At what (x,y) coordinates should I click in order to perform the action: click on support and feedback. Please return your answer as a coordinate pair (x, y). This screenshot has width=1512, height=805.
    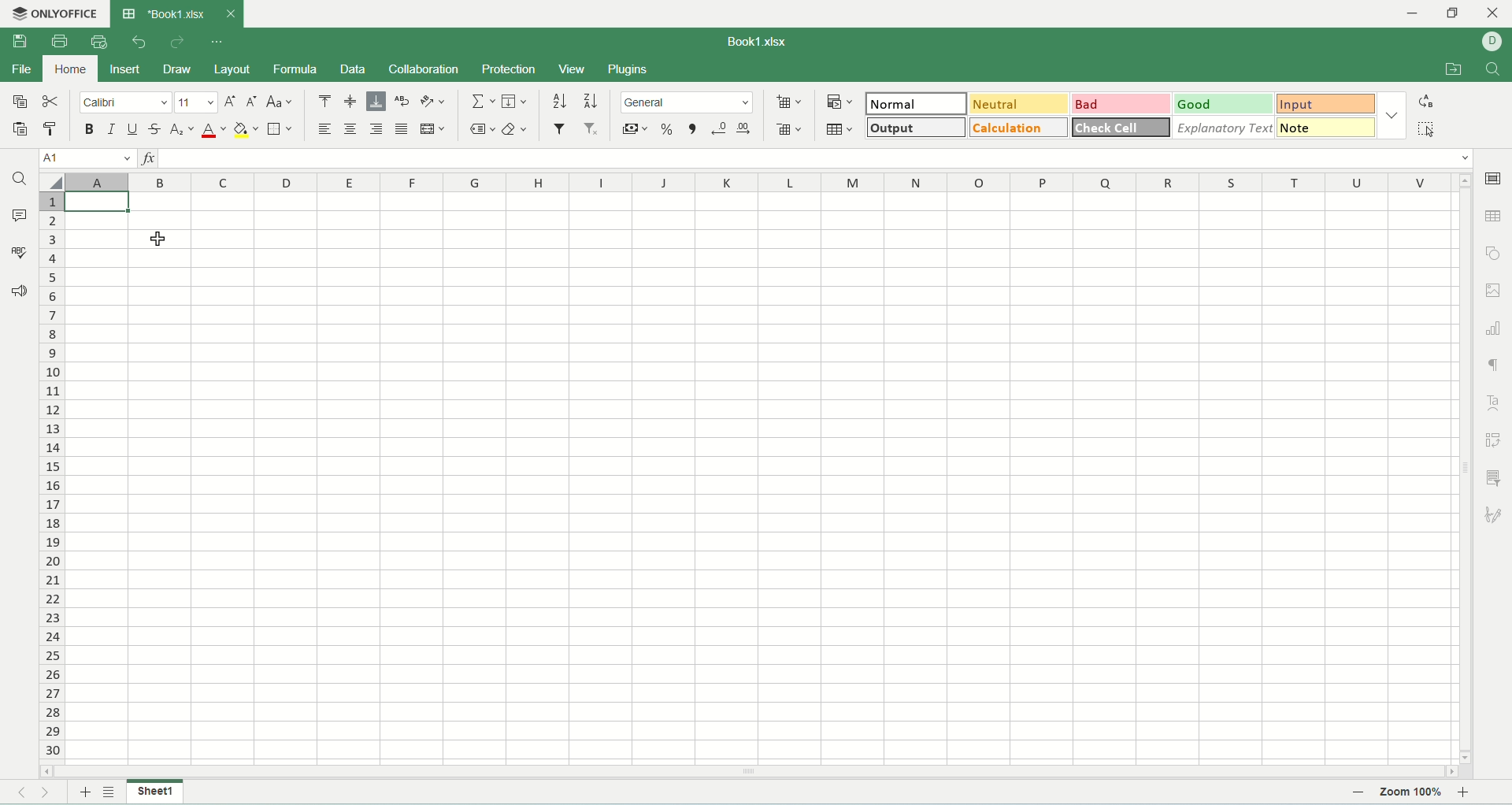
    Looking at the image, I should click on (20, 293).